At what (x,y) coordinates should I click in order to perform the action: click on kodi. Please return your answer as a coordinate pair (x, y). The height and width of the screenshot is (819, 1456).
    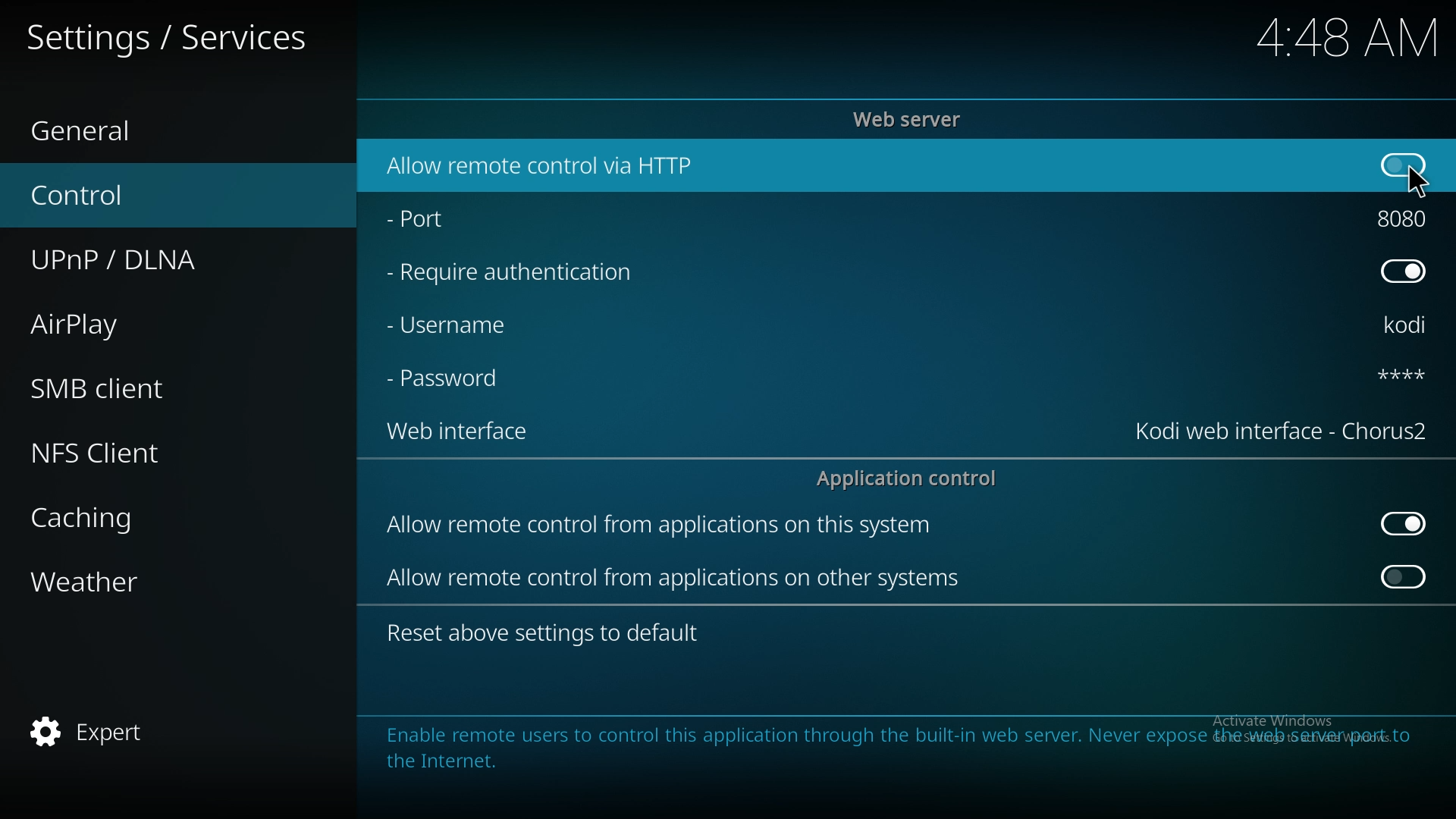
    Looking at the image, I should click on (1410, 325).